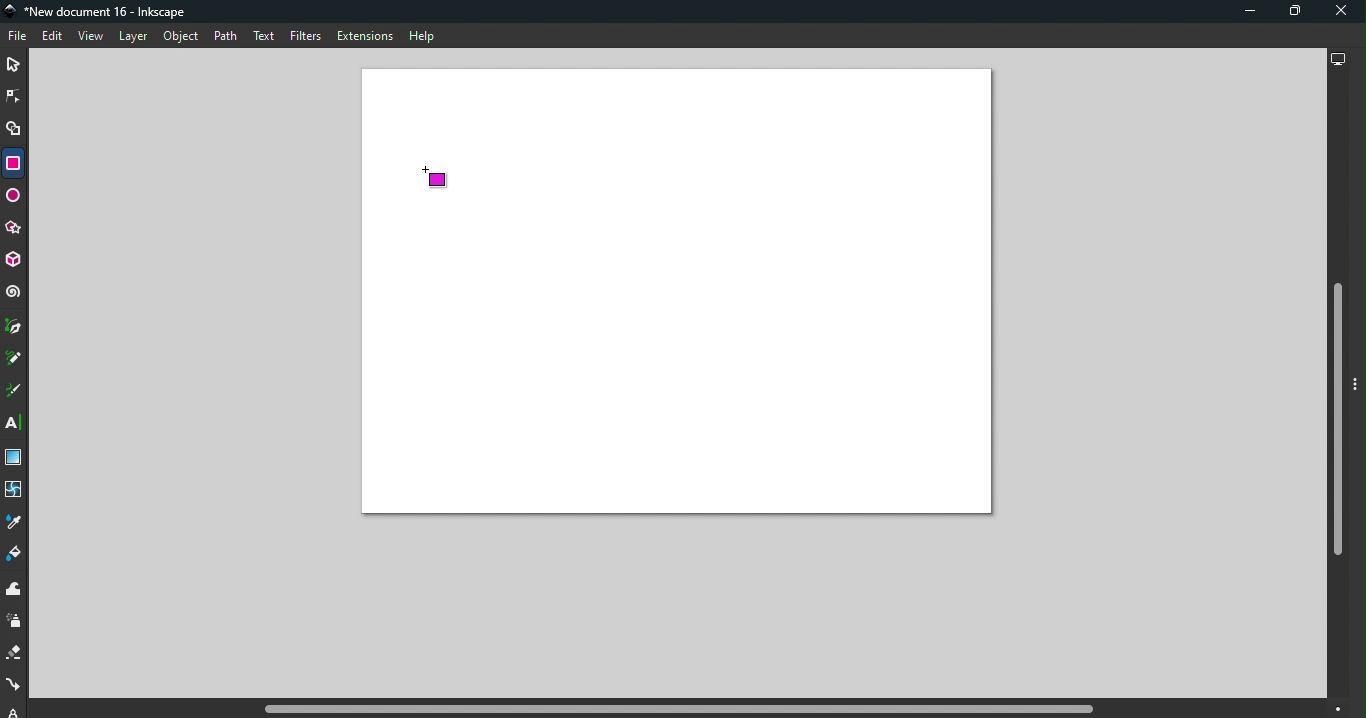 This screenshot has width=1366, height=718. What do you see at coordinates (14, 198) in the screenshot?
I see `Ellipse/Arc tool` at bounding box center [14, 198].